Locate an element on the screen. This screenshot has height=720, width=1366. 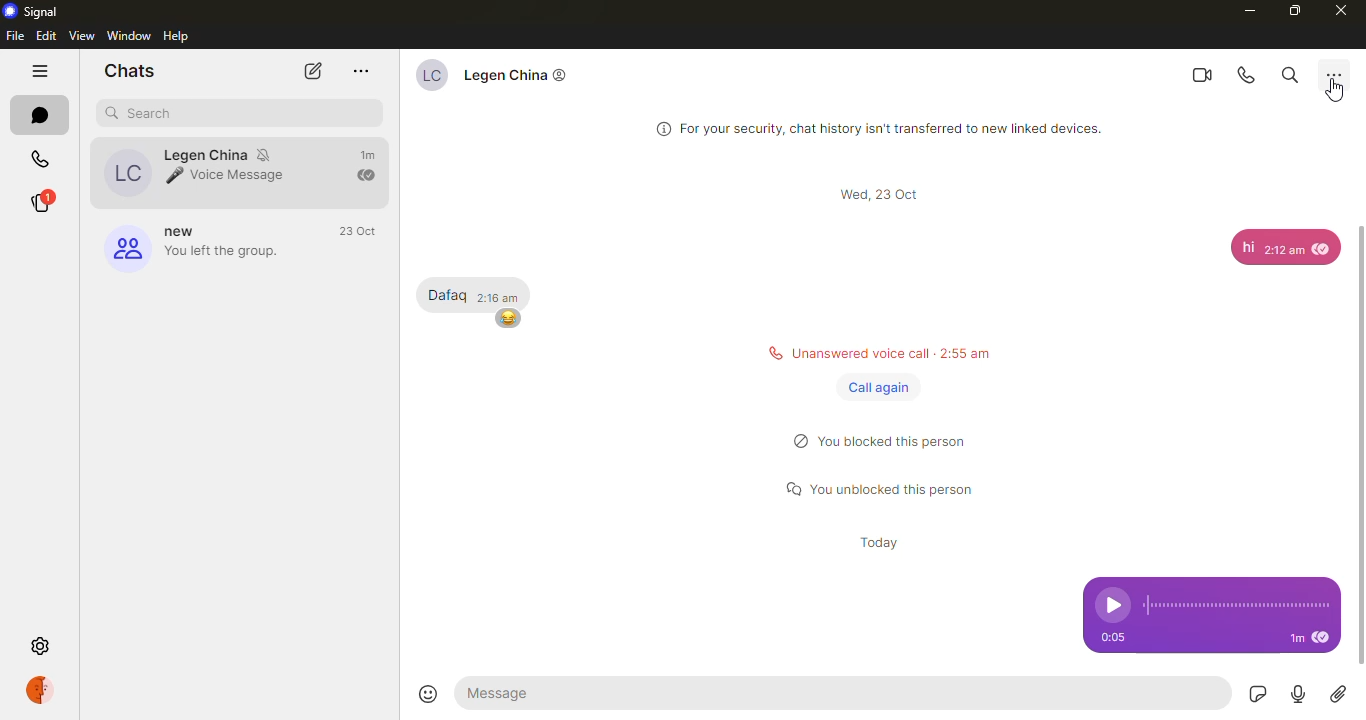
attach is located at coordinates (1339, 695).